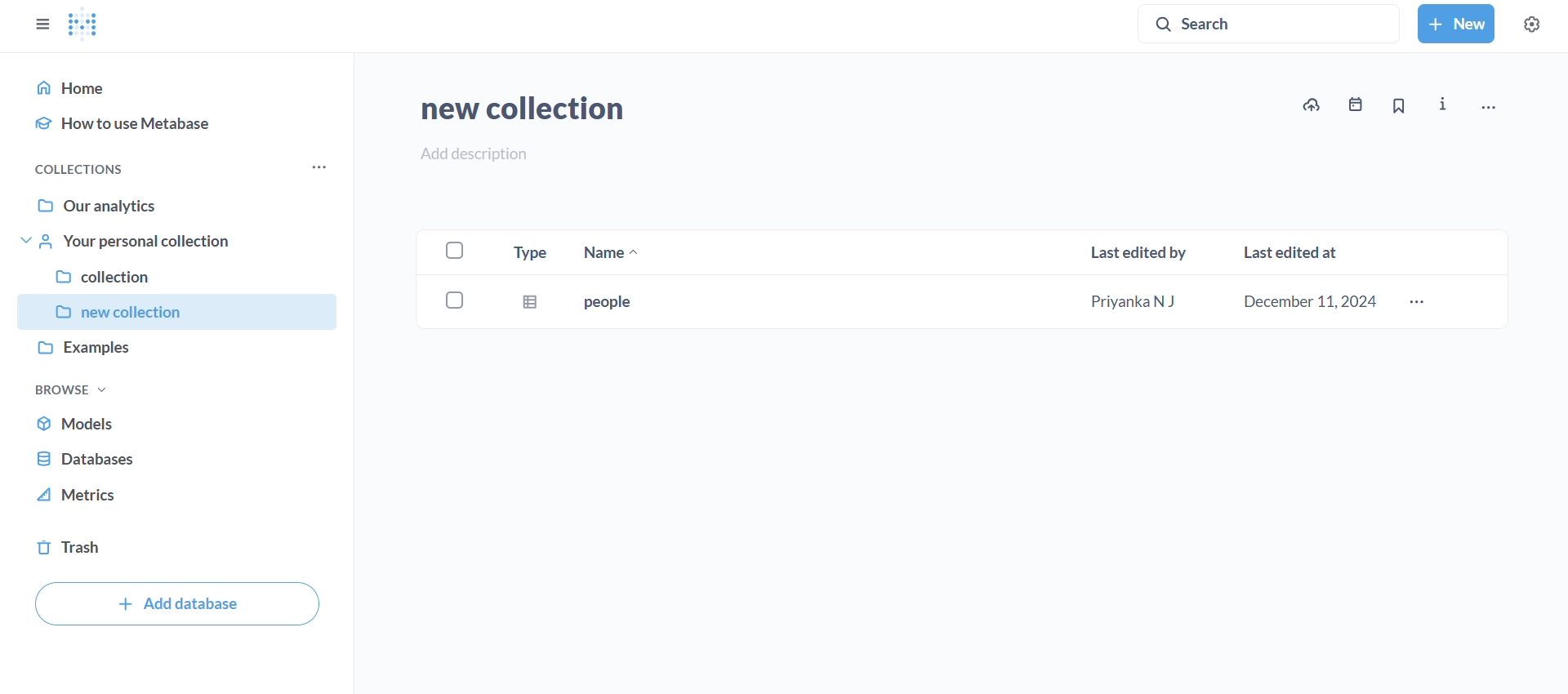 This screenshot has width=1568, height=694. Describe the element at coordinates (181, 123) in the screenshot. I see `how to use metabase ` at that location.